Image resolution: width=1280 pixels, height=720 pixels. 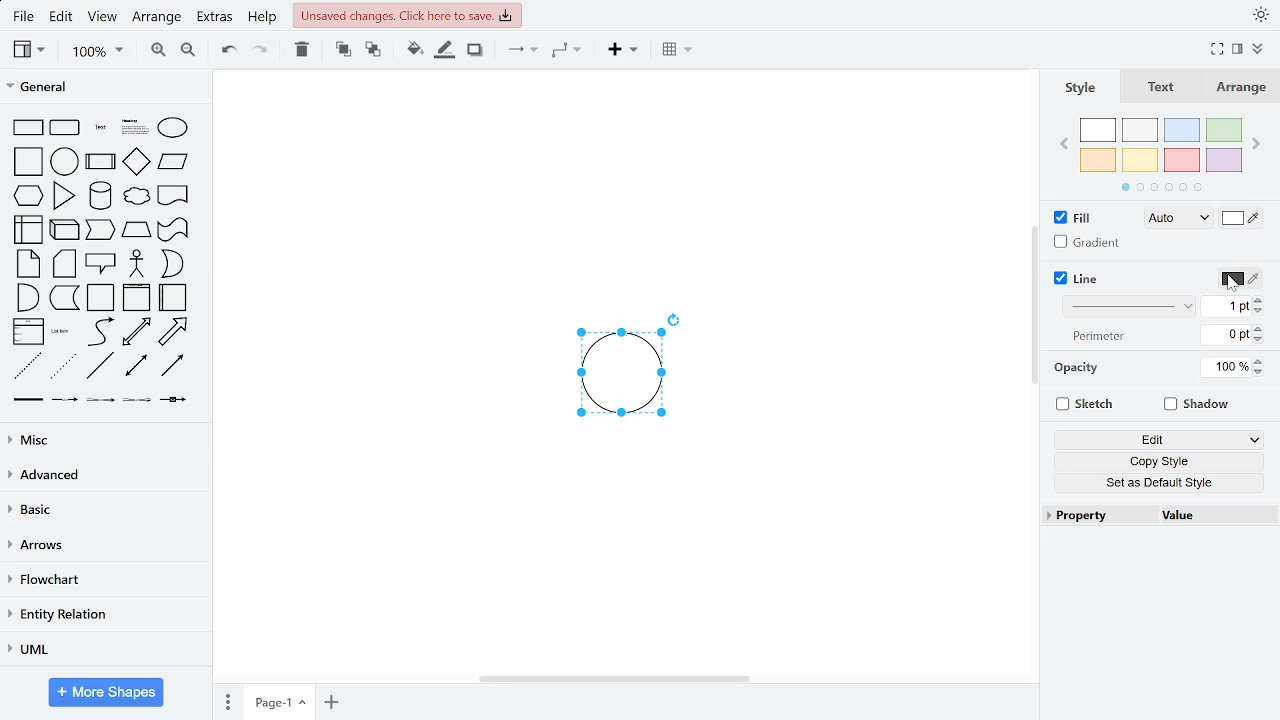 What do you see at coordinates (1257, 50) in the screenshot?
I see `collapse` at bounding box center [1257, 50].